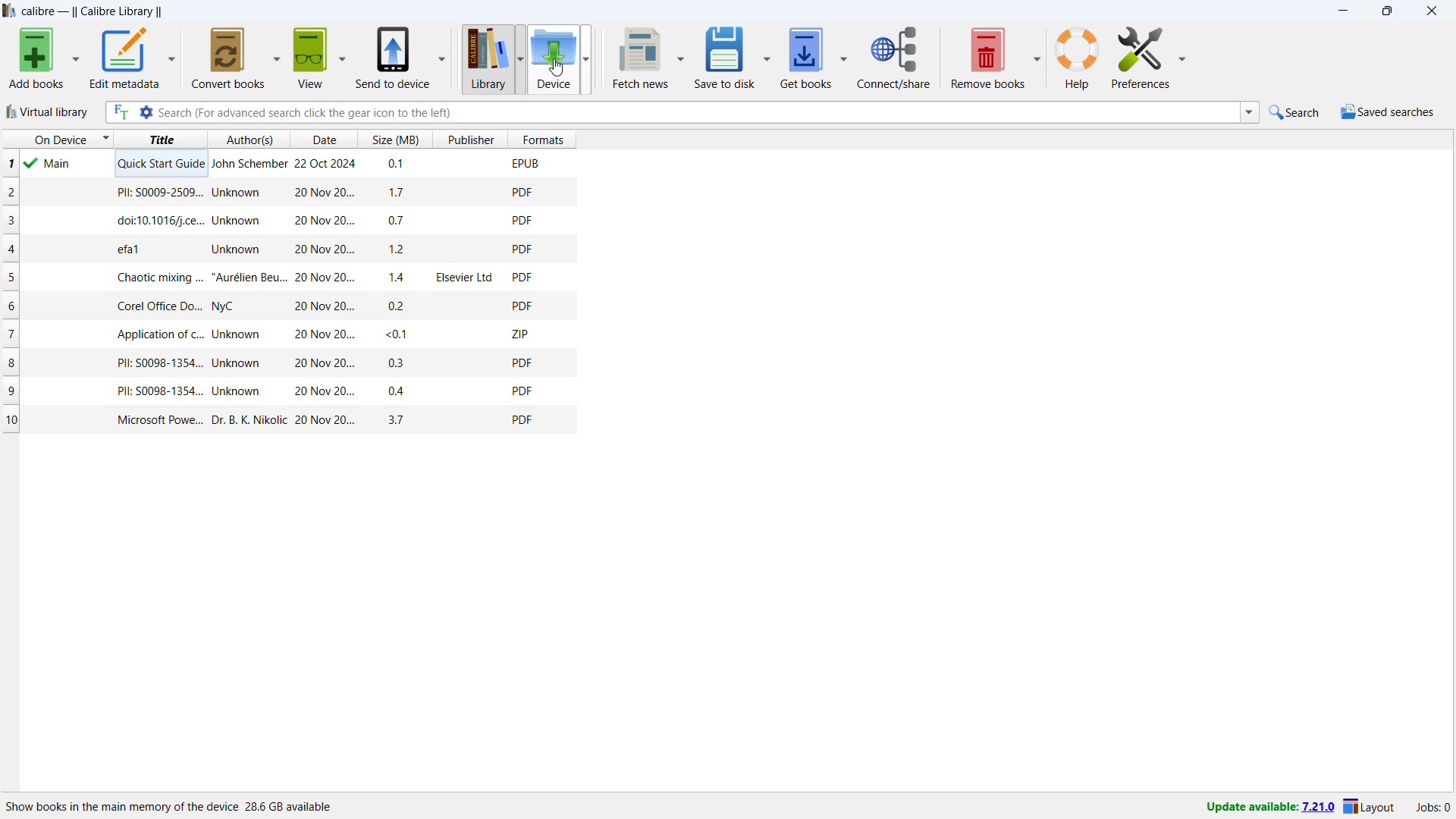  What do you see at coordinates (124, 58) in the screenshot?
I see `edit metadata` at bounding box center [124, 58].